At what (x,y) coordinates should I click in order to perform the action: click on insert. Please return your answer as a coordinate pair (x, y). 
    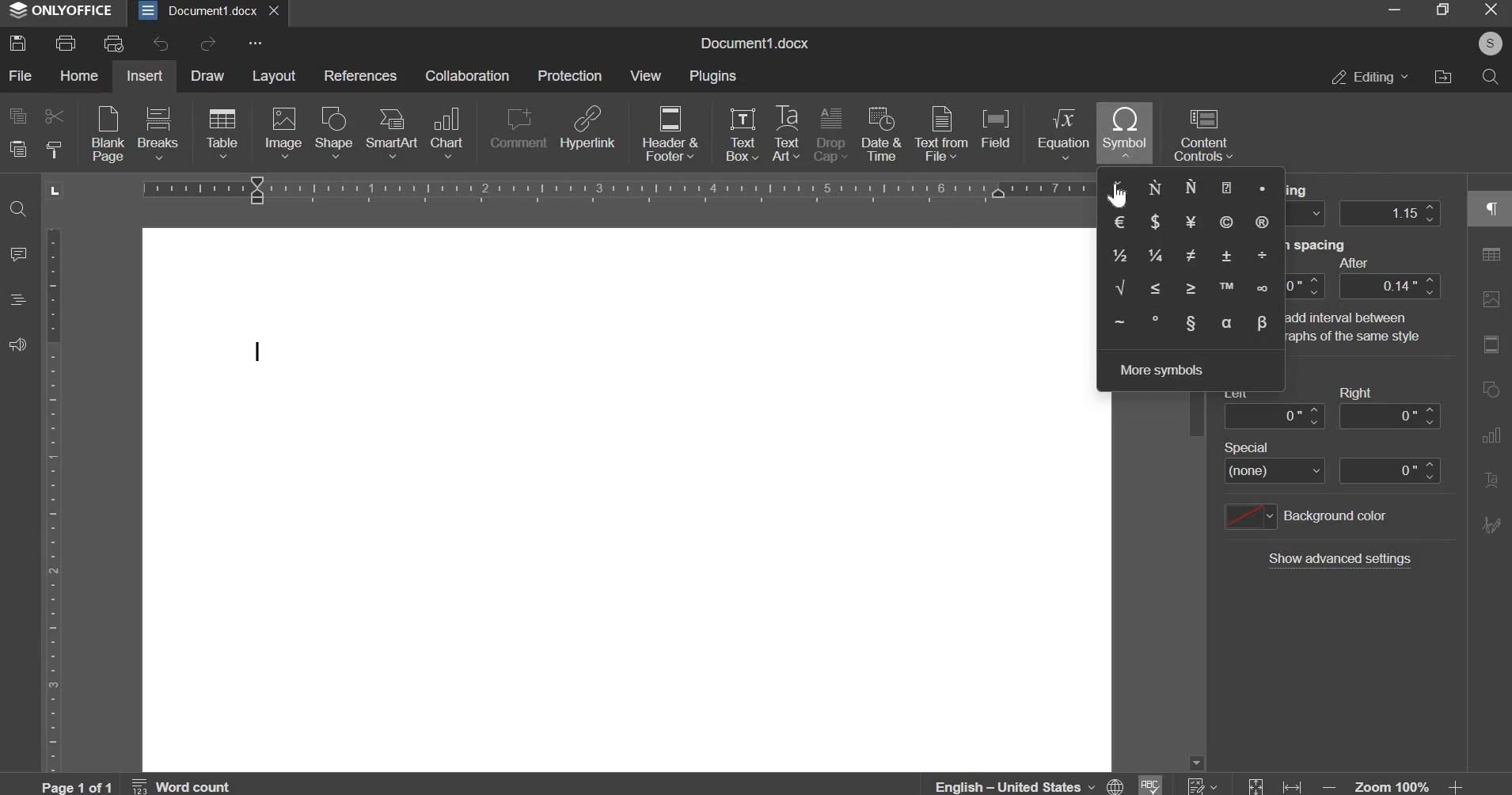
    Looking at the image, I should click on (144, 74).